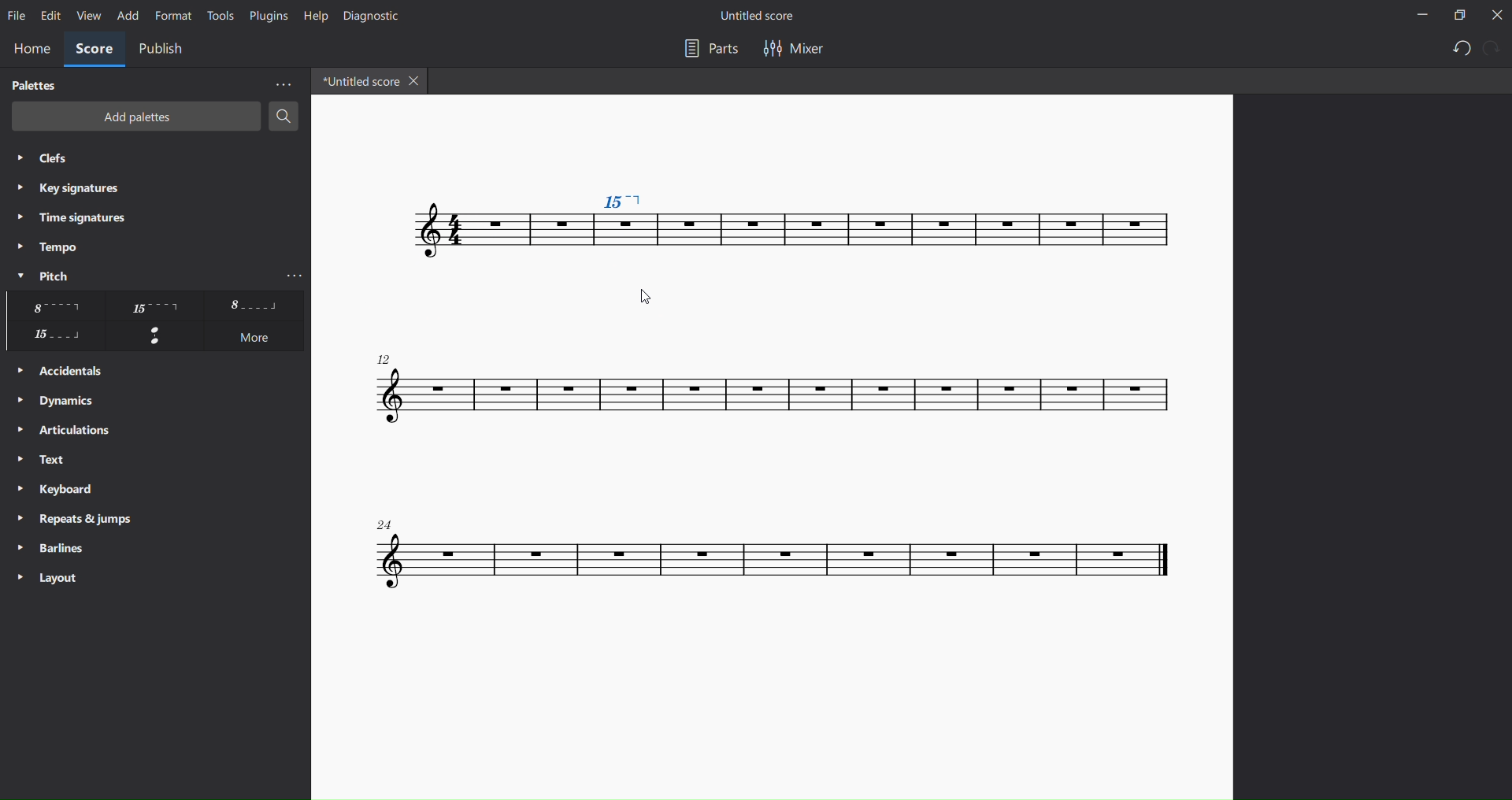  What do you see at coordinates (35, 85) in the screenshot?
I see `palettes` at bounding box center [35, 85].